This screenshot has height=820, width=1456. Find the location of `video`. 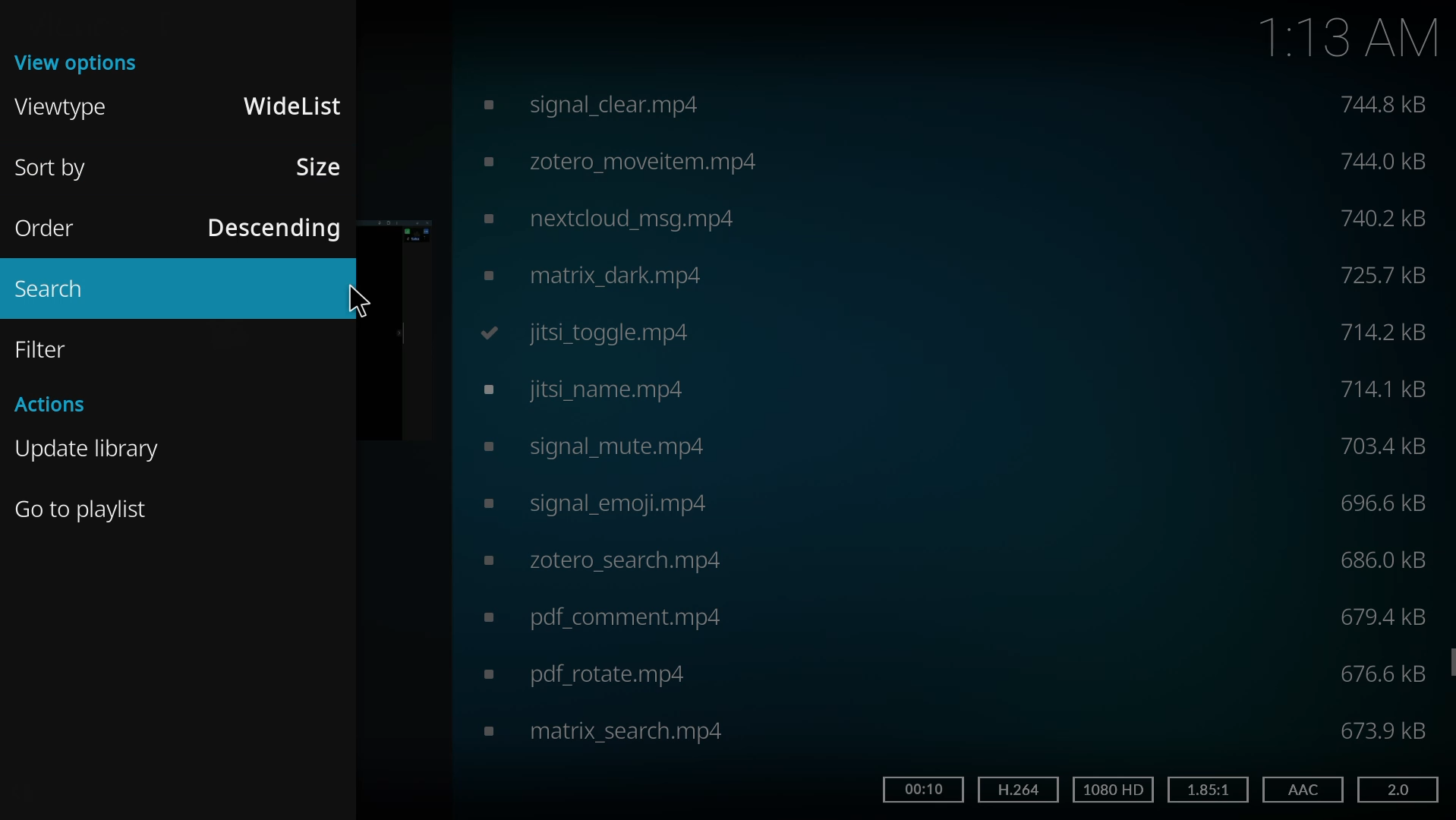

video is located at coordinates (600, 729).